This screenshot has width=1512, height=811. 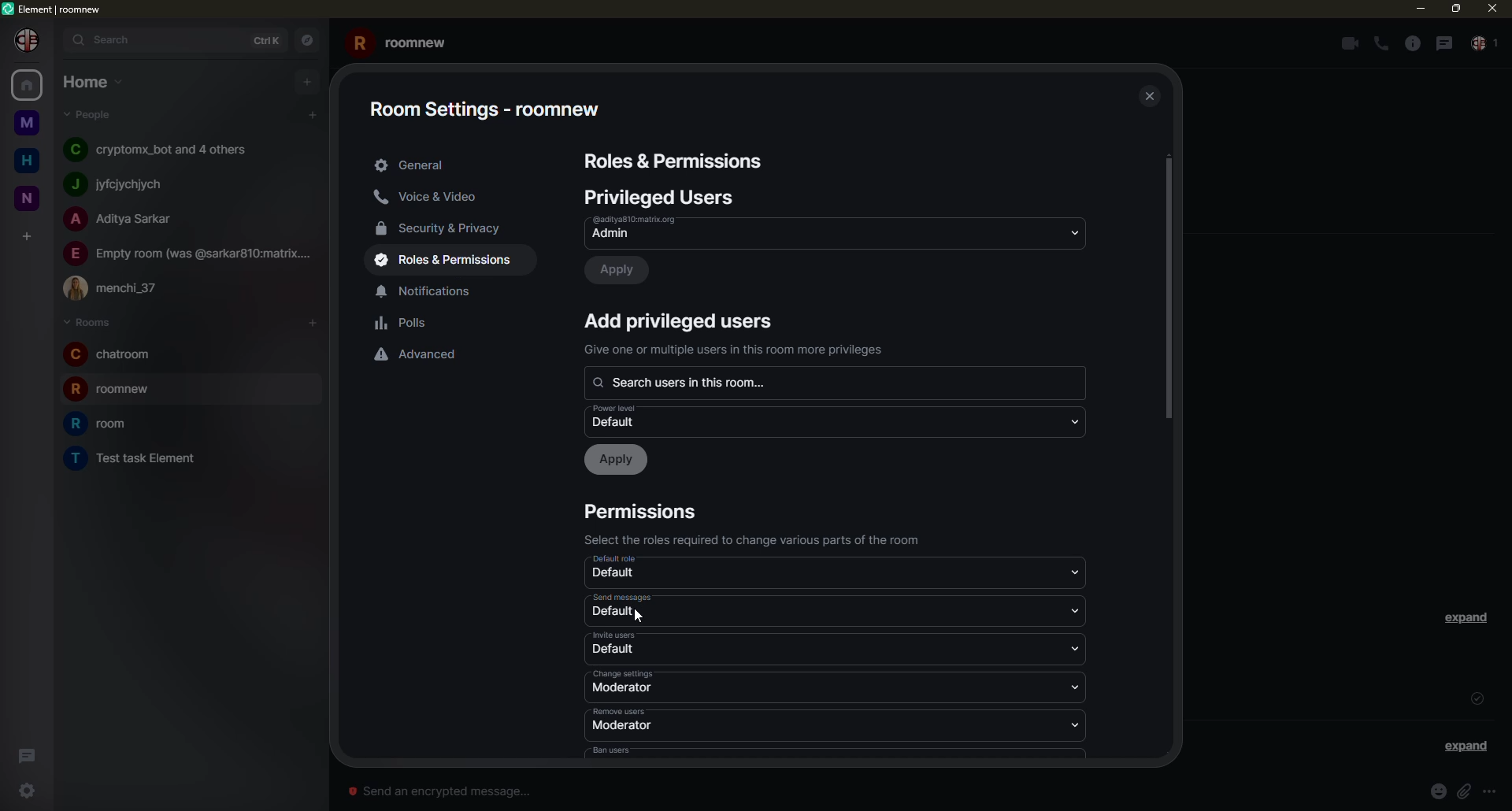 I want to click on sent, so click(x=1477, y=698).